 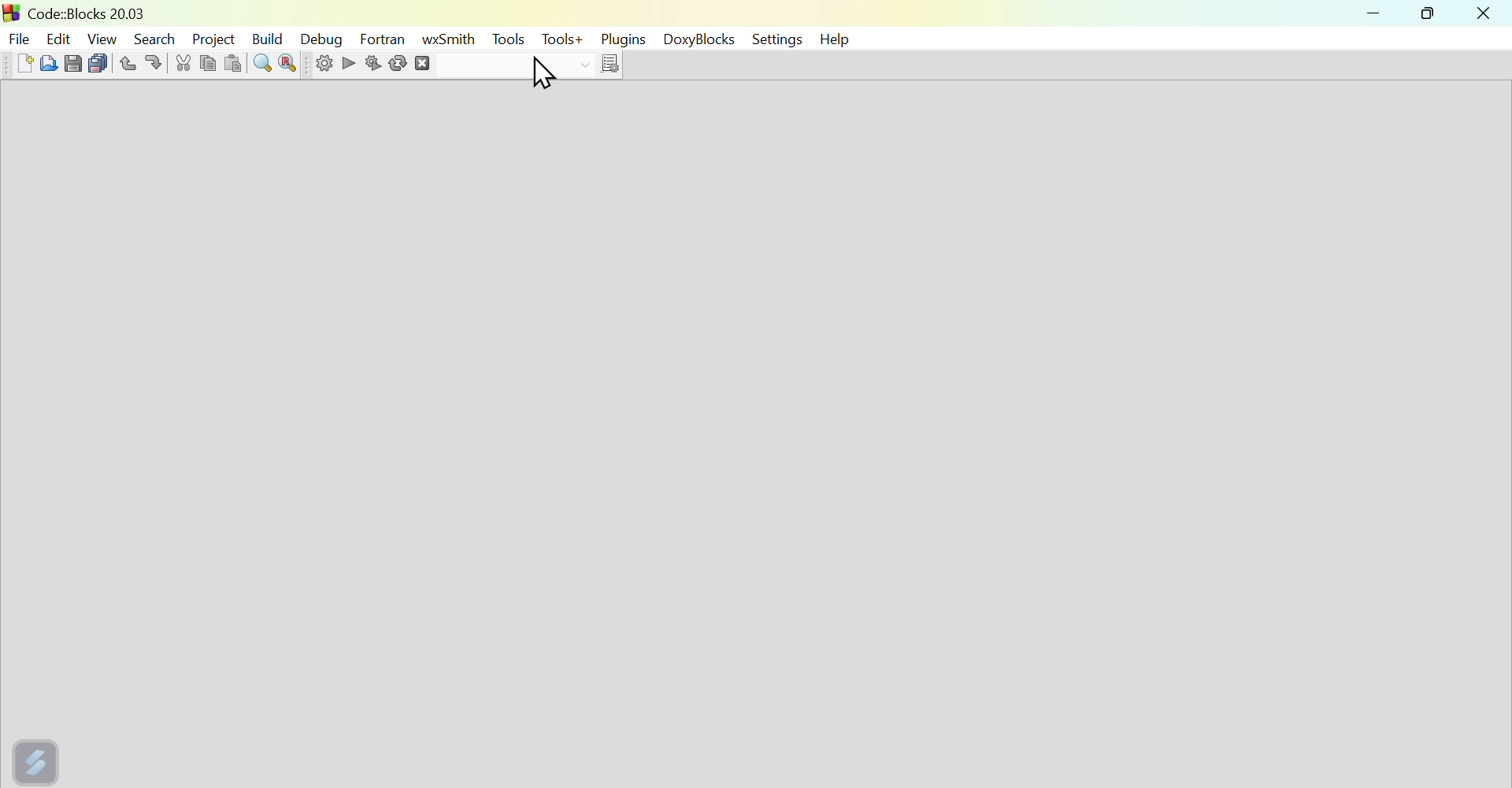 What do you see at coordinates (326, 39) in the screenshot?
I see `Debug` at bounding box center [326, 39].